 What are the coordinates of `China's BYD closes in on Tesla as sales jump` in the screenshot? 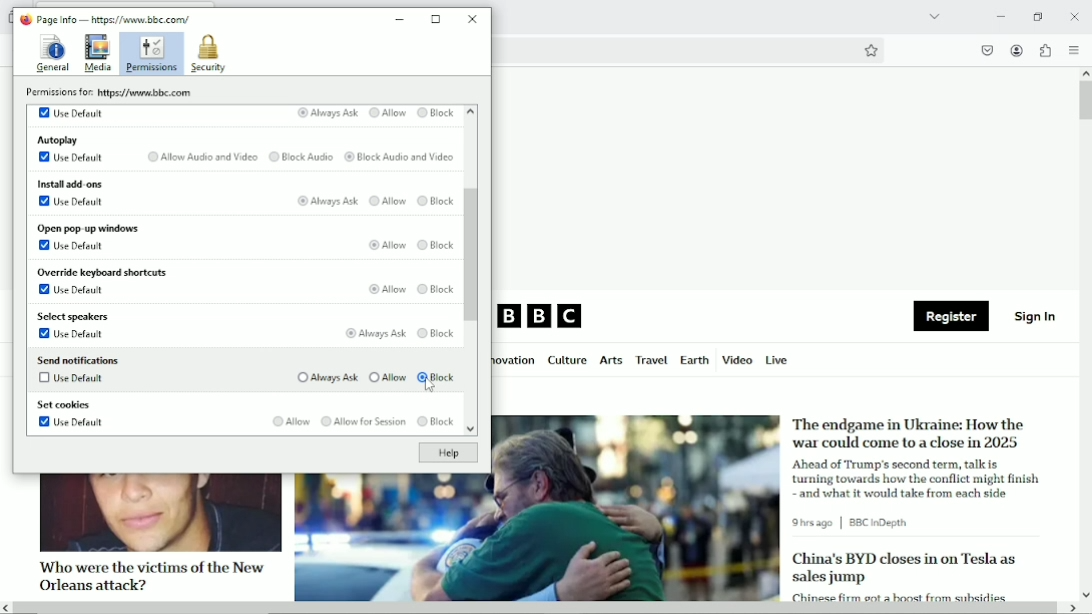 It's located at (904, 568).